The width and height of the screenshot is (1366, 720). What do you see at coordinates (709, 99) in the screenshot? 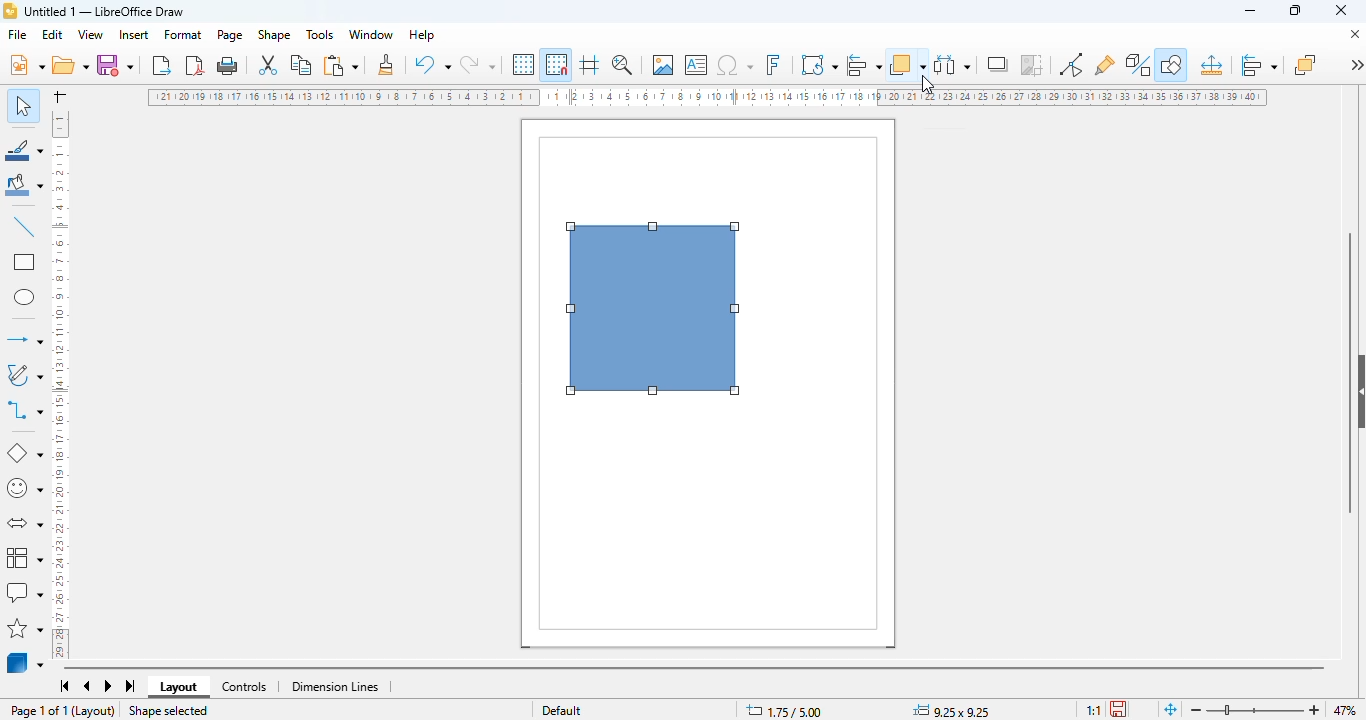
I see `ruler` at bounding box center [709, 99].